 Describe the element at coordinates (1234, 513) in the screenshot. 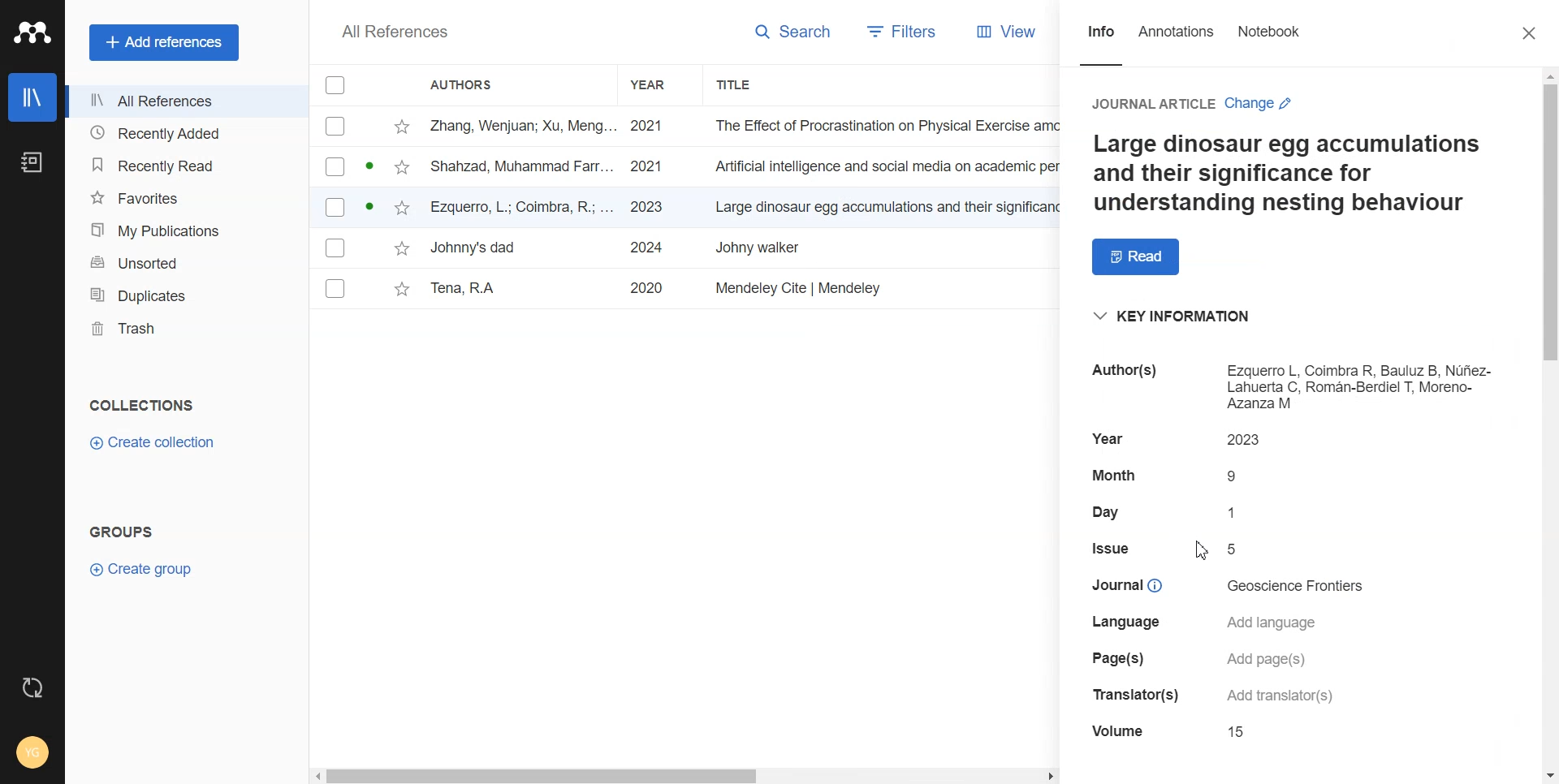

I see `details` at that location.